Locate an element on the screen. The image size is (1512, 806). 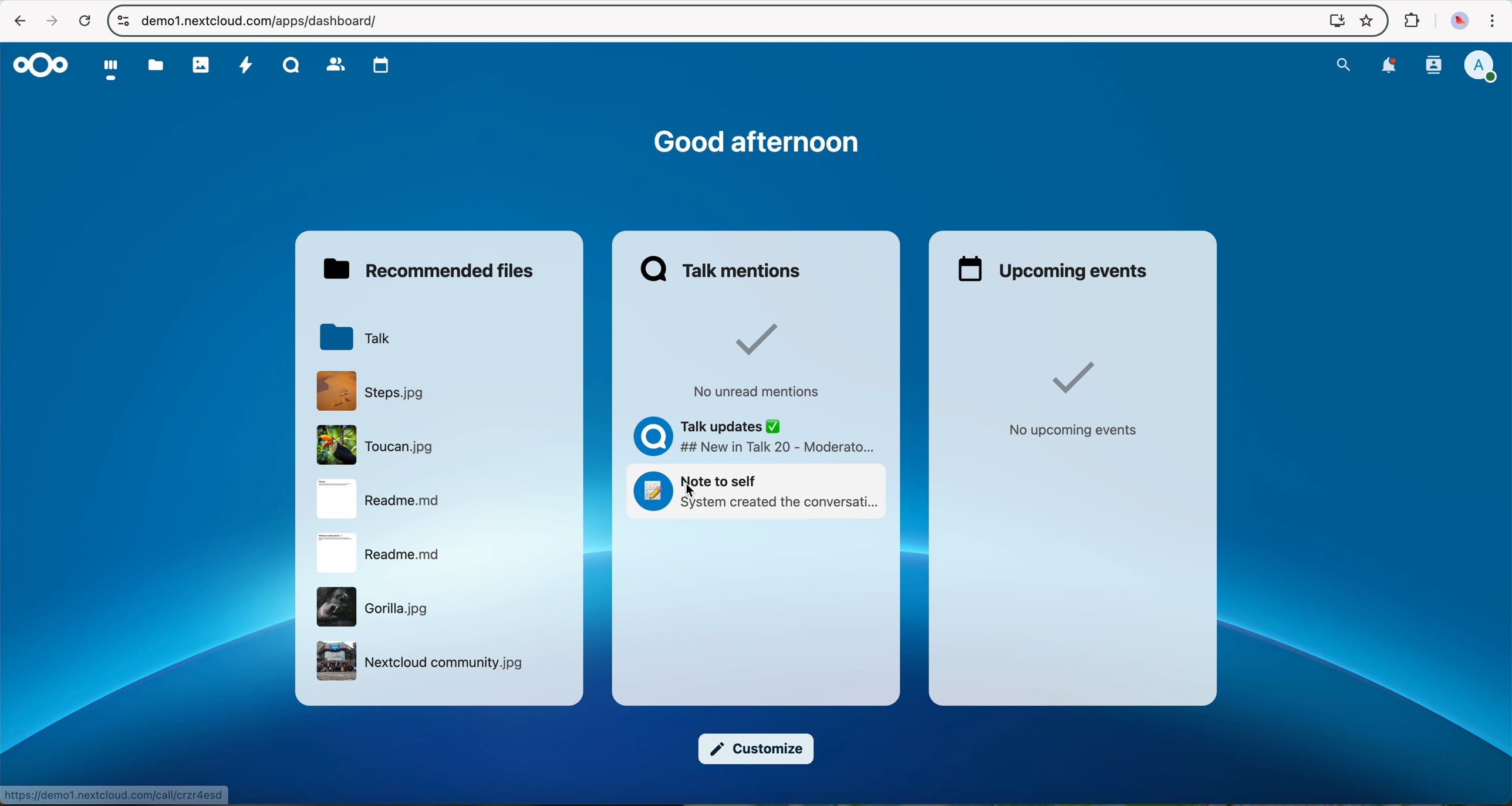
search is located at coordinates (1344, 65).